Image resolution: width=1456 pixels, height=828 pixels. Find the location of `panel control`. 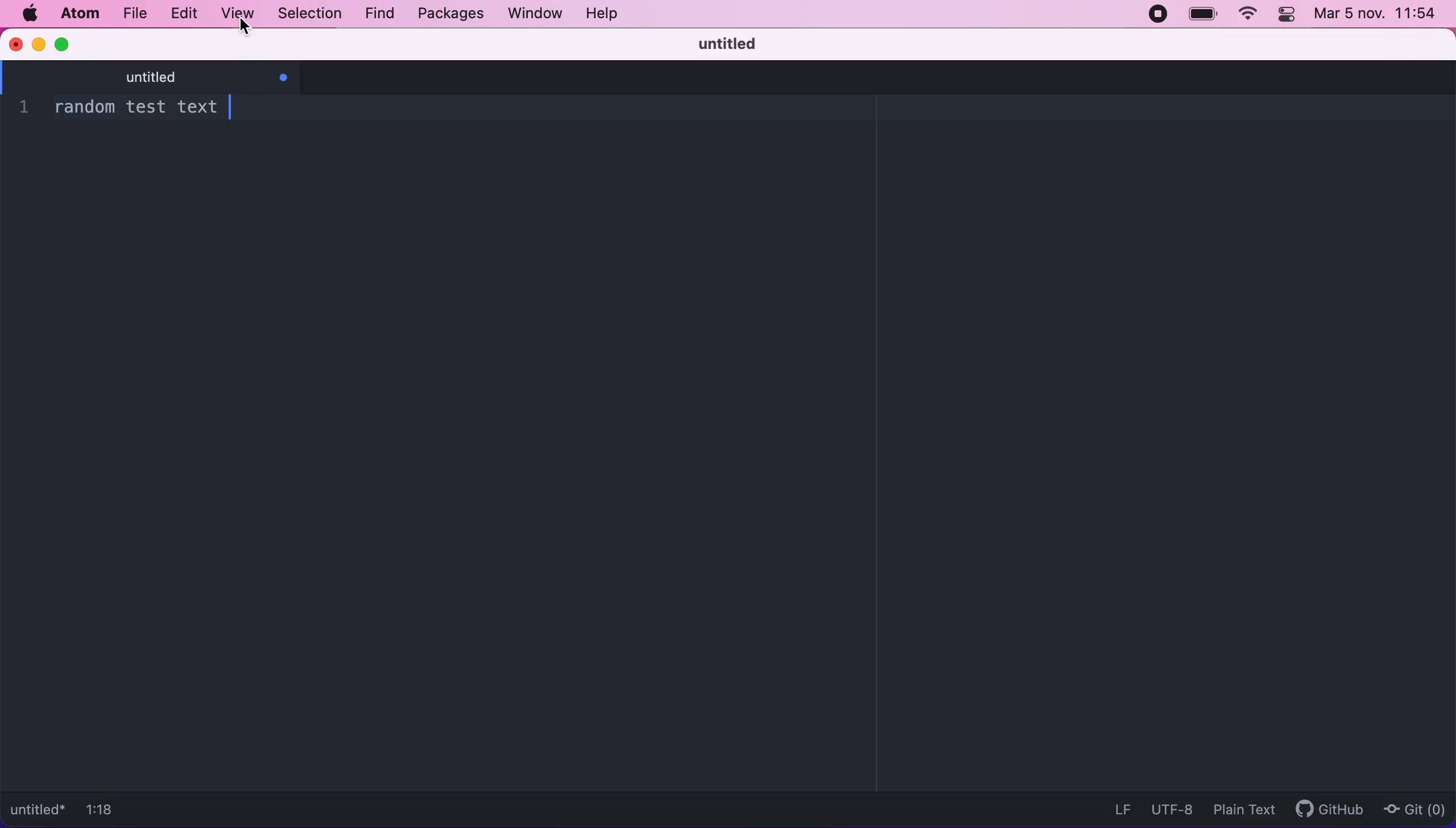

panel control is located at coordinates (1288, 15).